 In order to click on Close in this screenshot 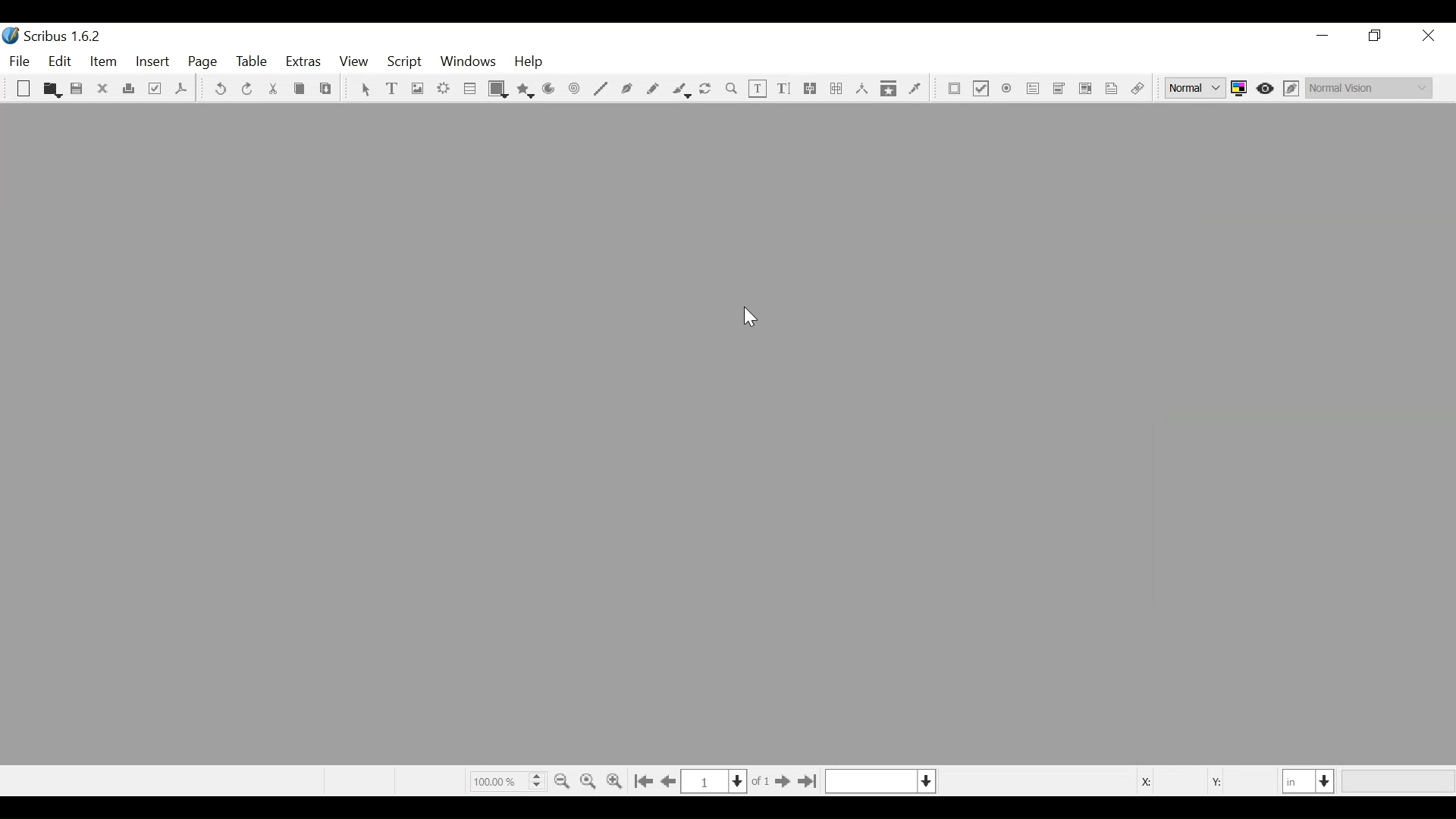, I will do `click(104, 89)`.